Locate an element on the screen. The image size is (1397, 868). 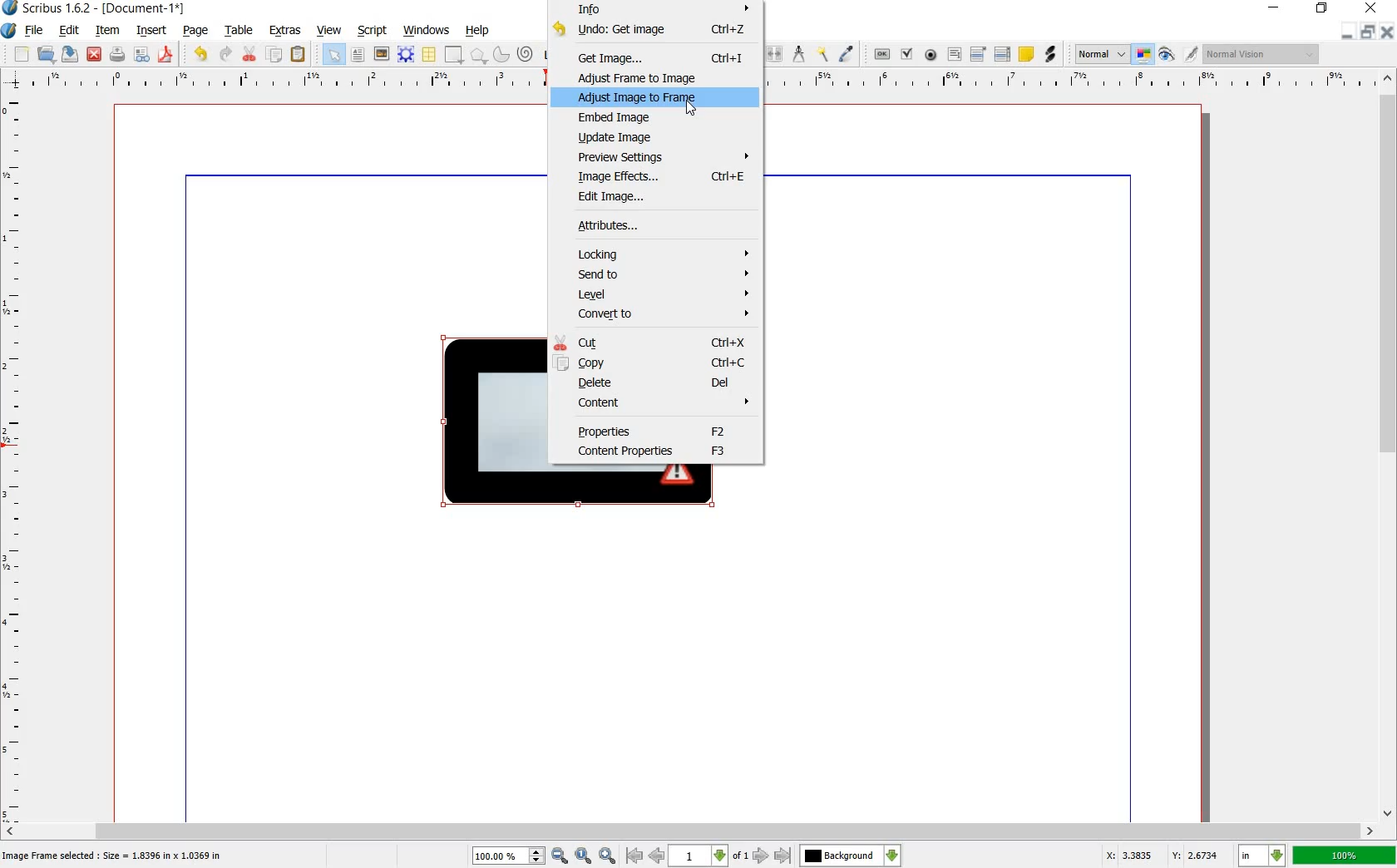
ruler is located at coordinates (19, 457).